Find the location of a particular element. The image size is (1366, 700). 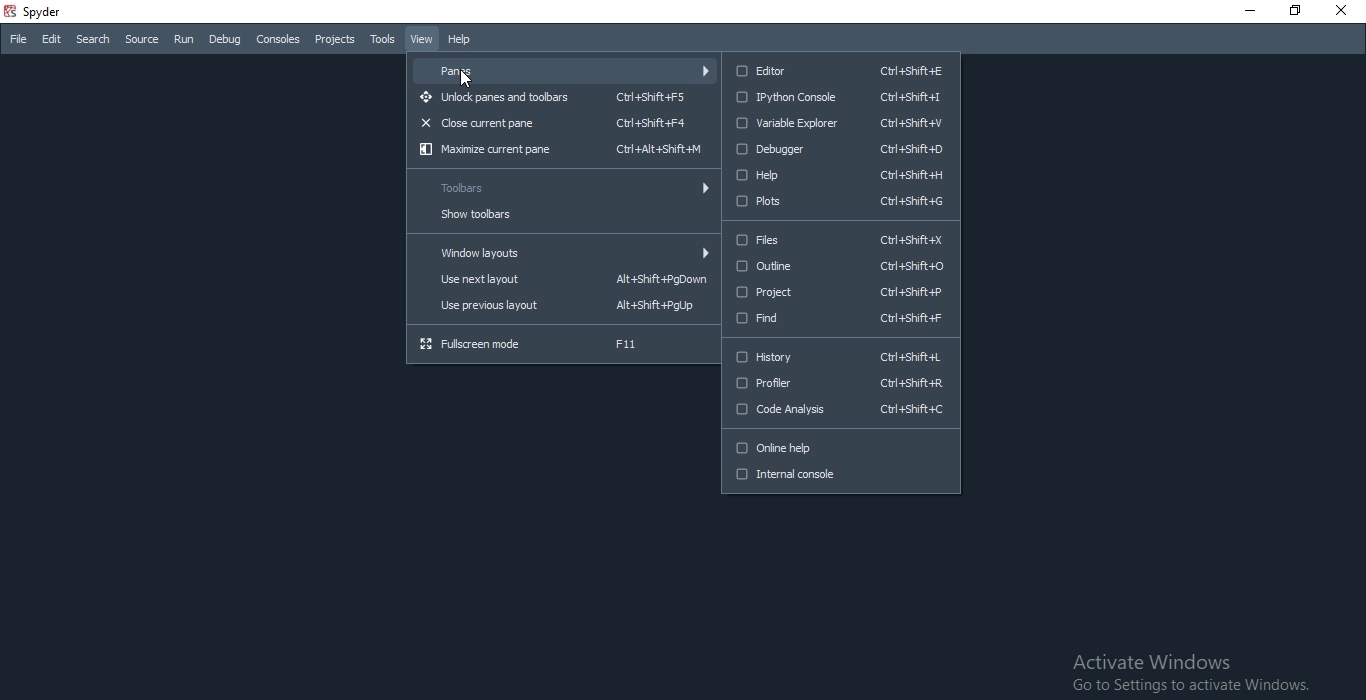

Help is located at coordinates (462, 39).